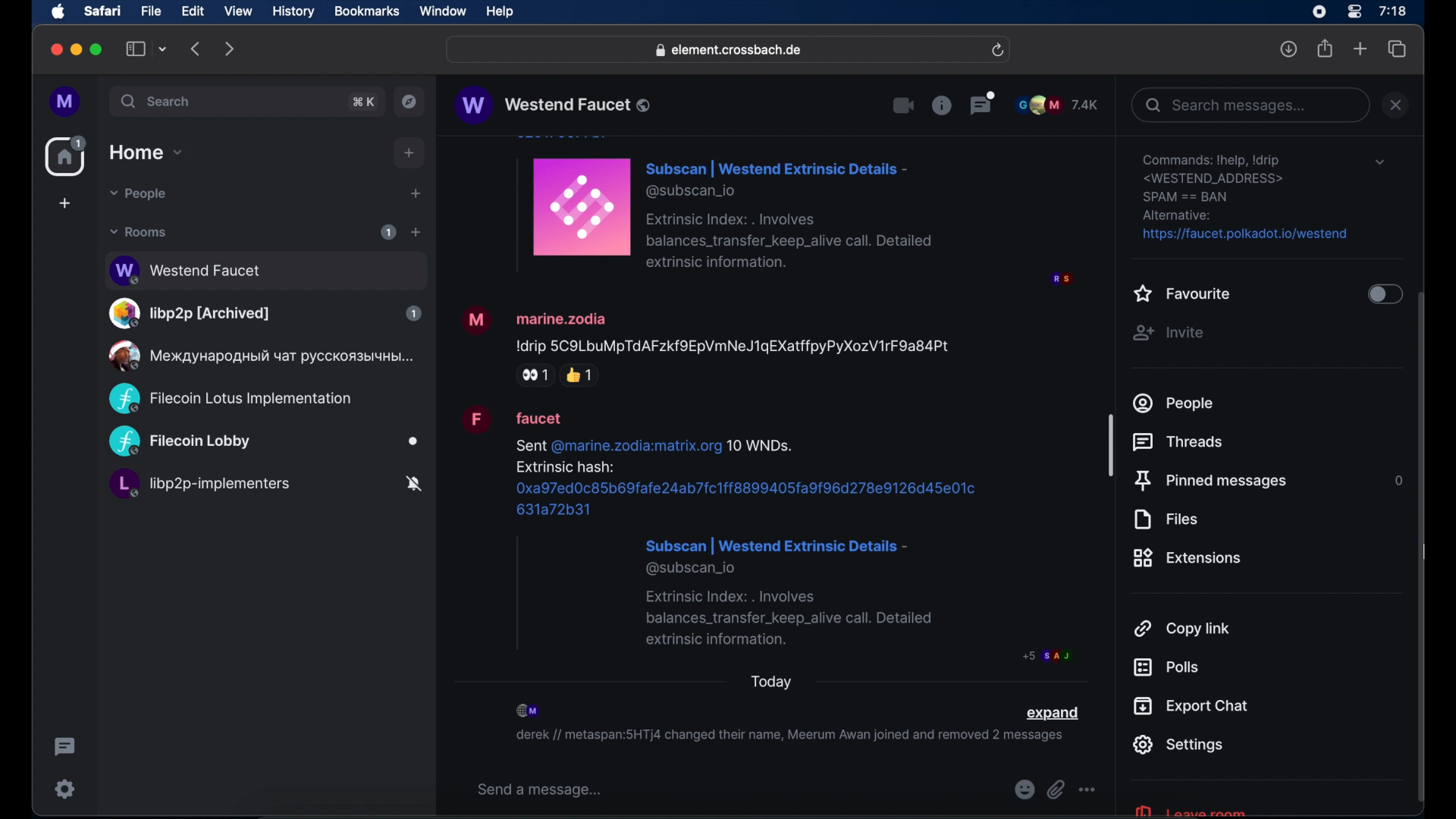 The width and height of the screenshot is (1456, 819). I want to click on message, so click(791, 212).